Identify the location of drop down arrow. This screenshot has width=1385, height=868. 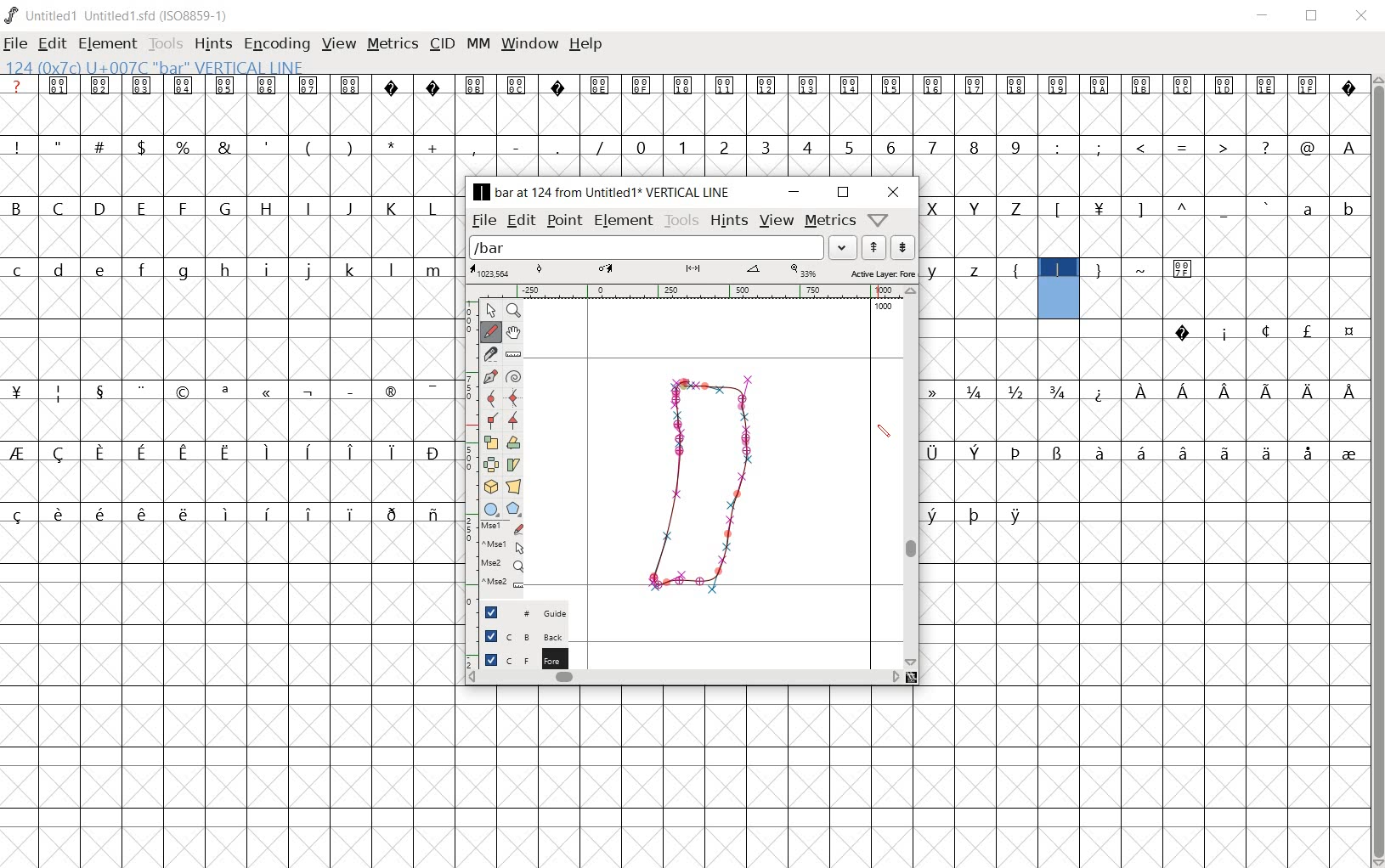
(841, 246).